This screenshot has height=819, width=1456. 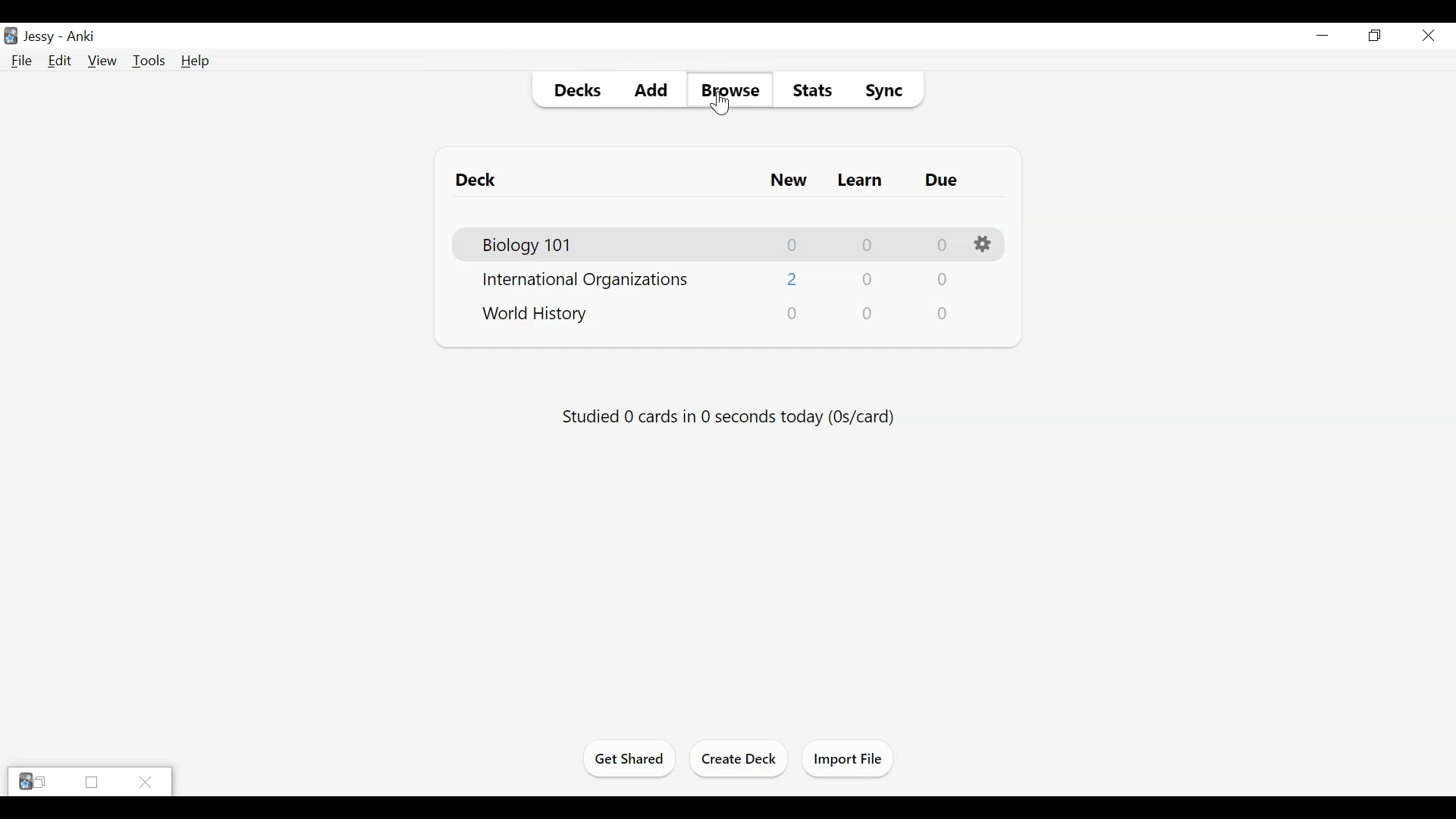 What do you see at coordinates (793, 246) in the screenshot?
I see `New Card Count` at bounding box center [793, 246].